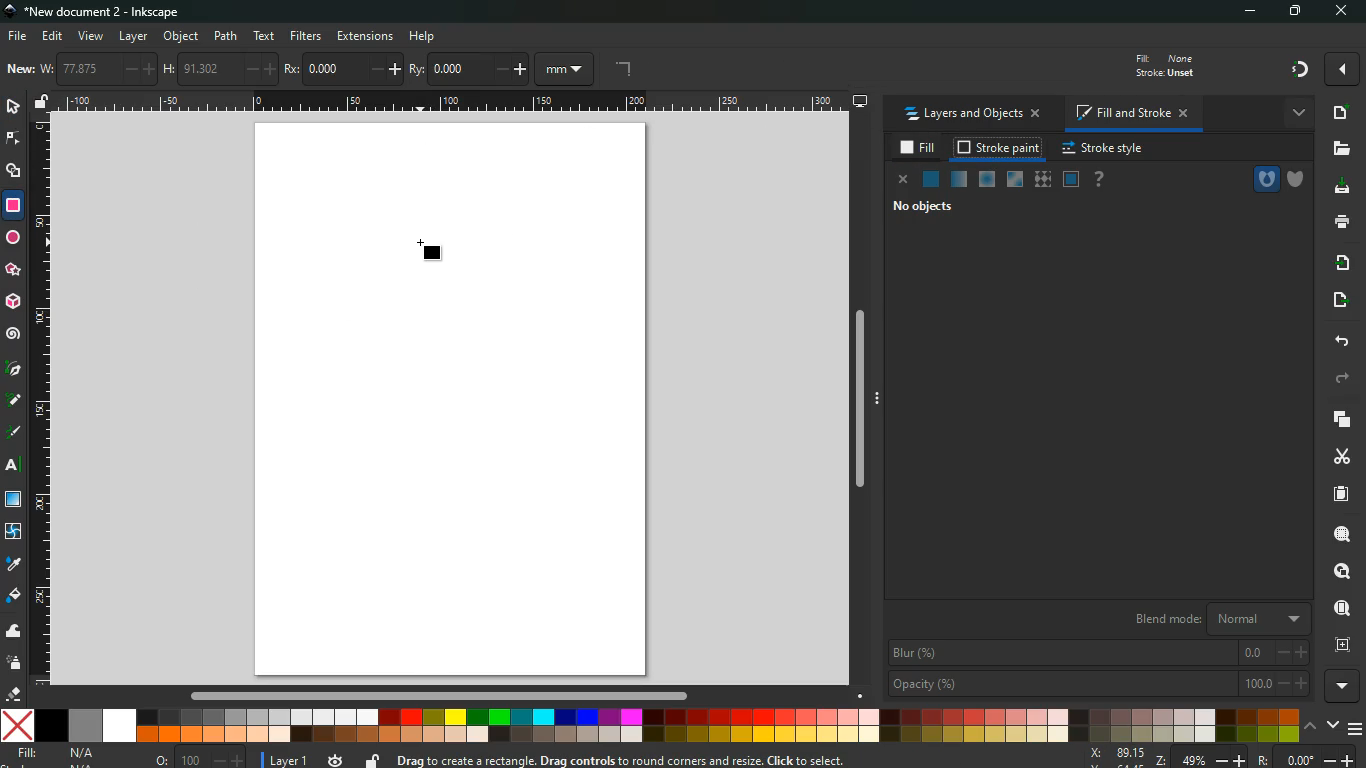  I want to click on more, so click(1295, 114).